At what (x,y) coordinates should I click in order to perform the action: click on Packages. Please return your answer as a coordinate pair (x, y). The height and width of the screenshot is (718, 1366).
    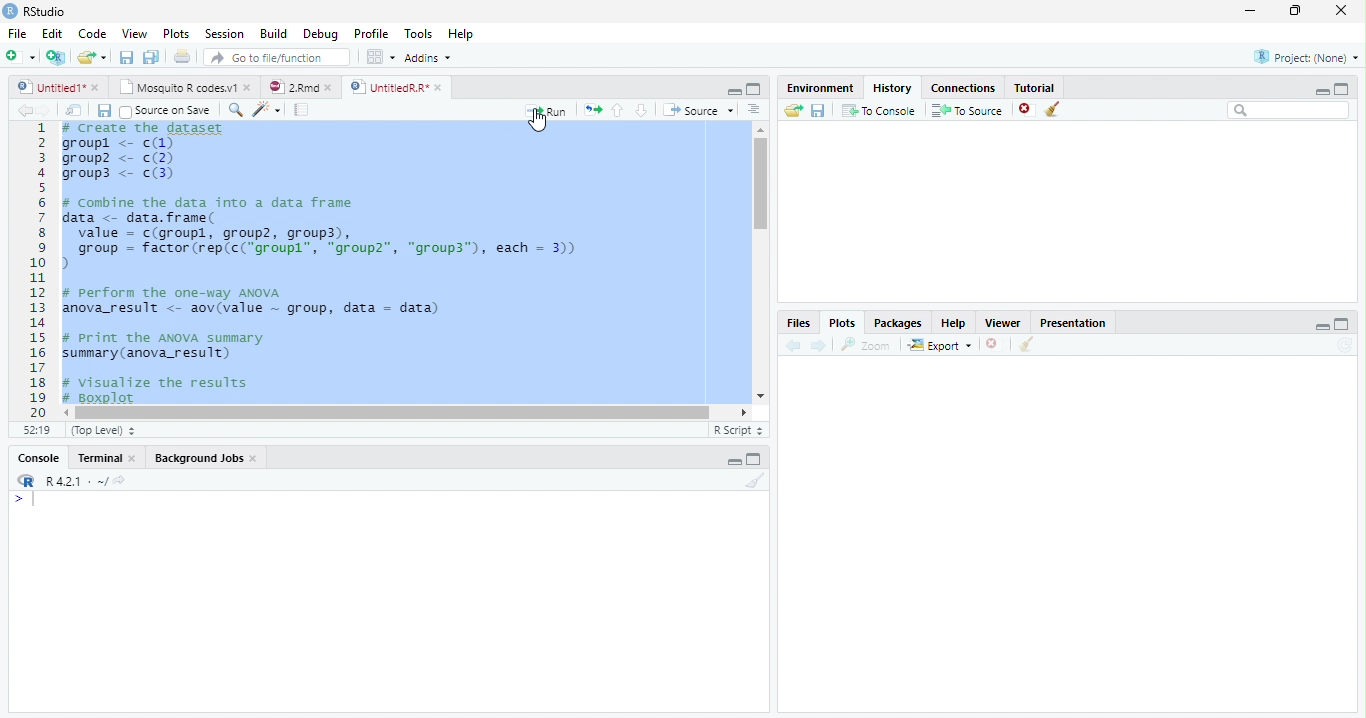
    Looking at the image, I should click on (900, 323).